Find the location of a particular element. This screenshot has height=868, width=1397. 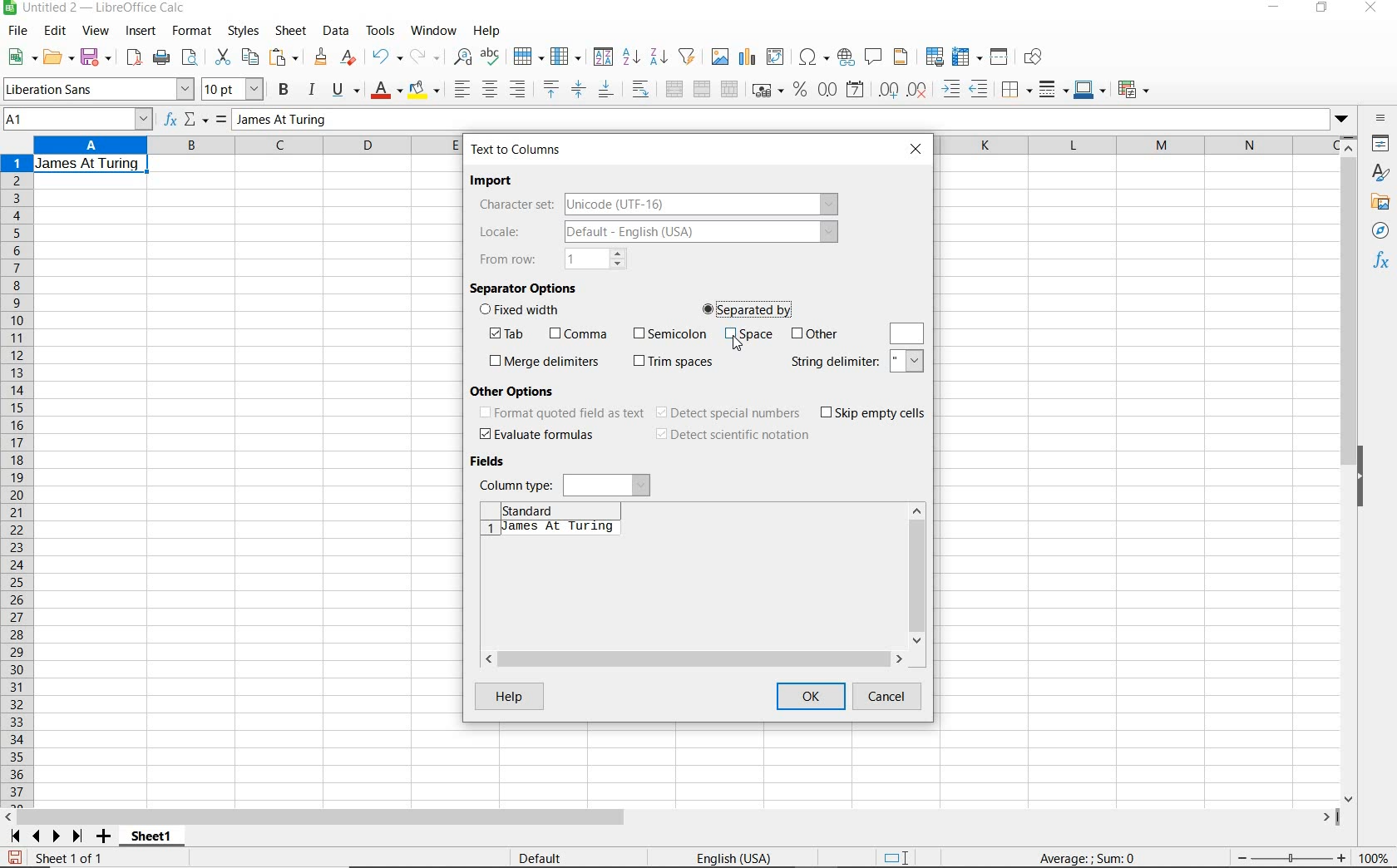

spelling is located at coordinates (490, 57).